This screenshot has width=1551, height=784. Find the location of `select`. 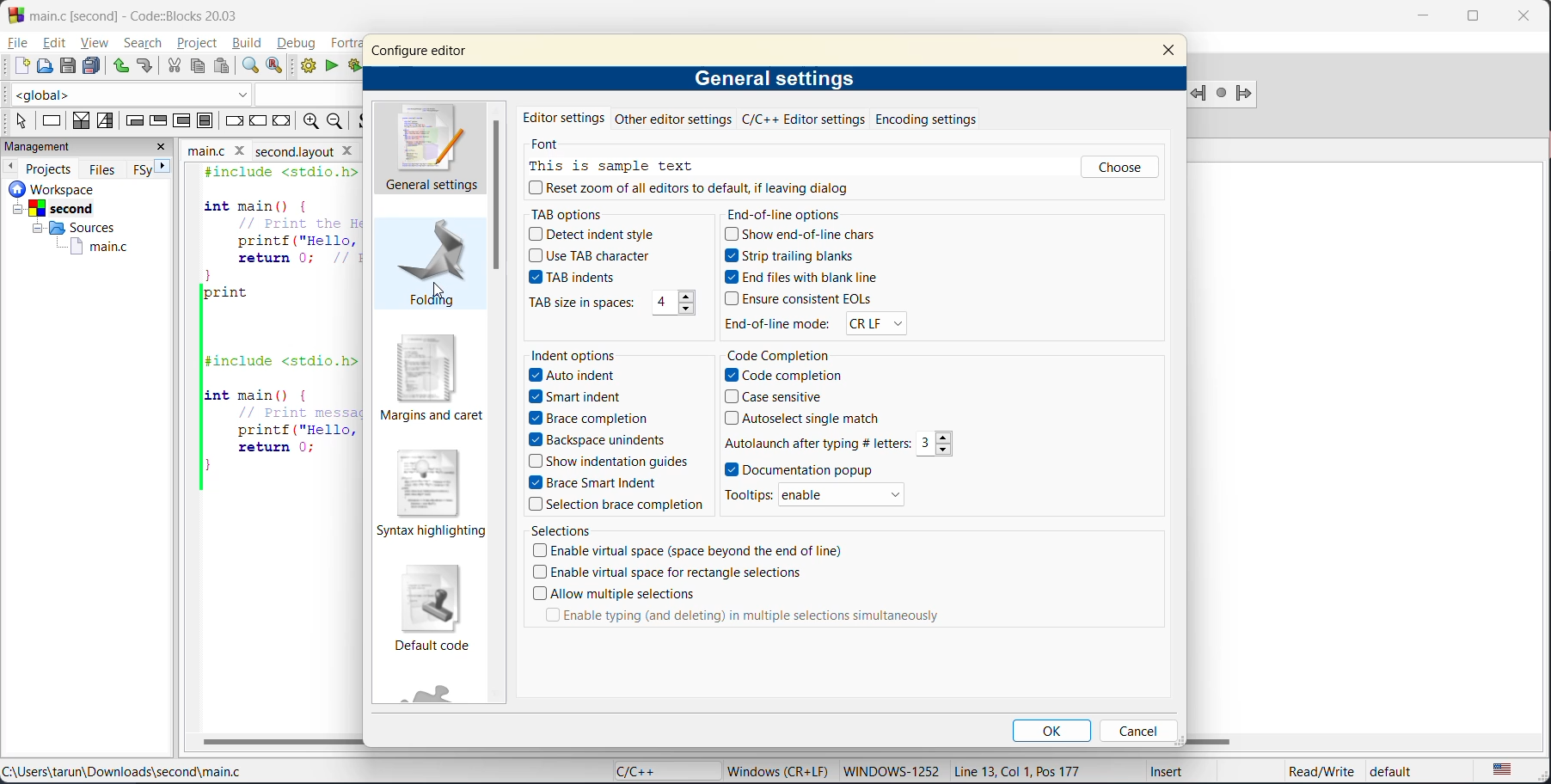

select is located at coordinates (15, 119).